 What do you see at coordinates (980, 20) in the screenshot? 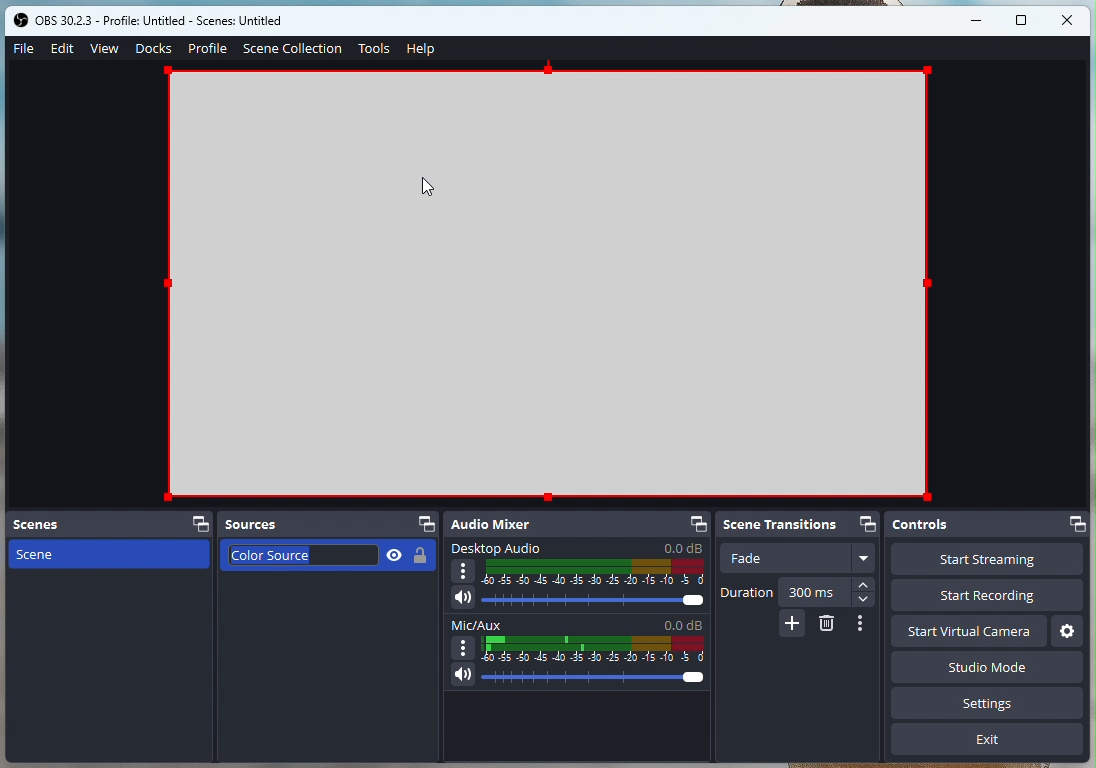
I see `minimise` at bounding box center [980, 20].